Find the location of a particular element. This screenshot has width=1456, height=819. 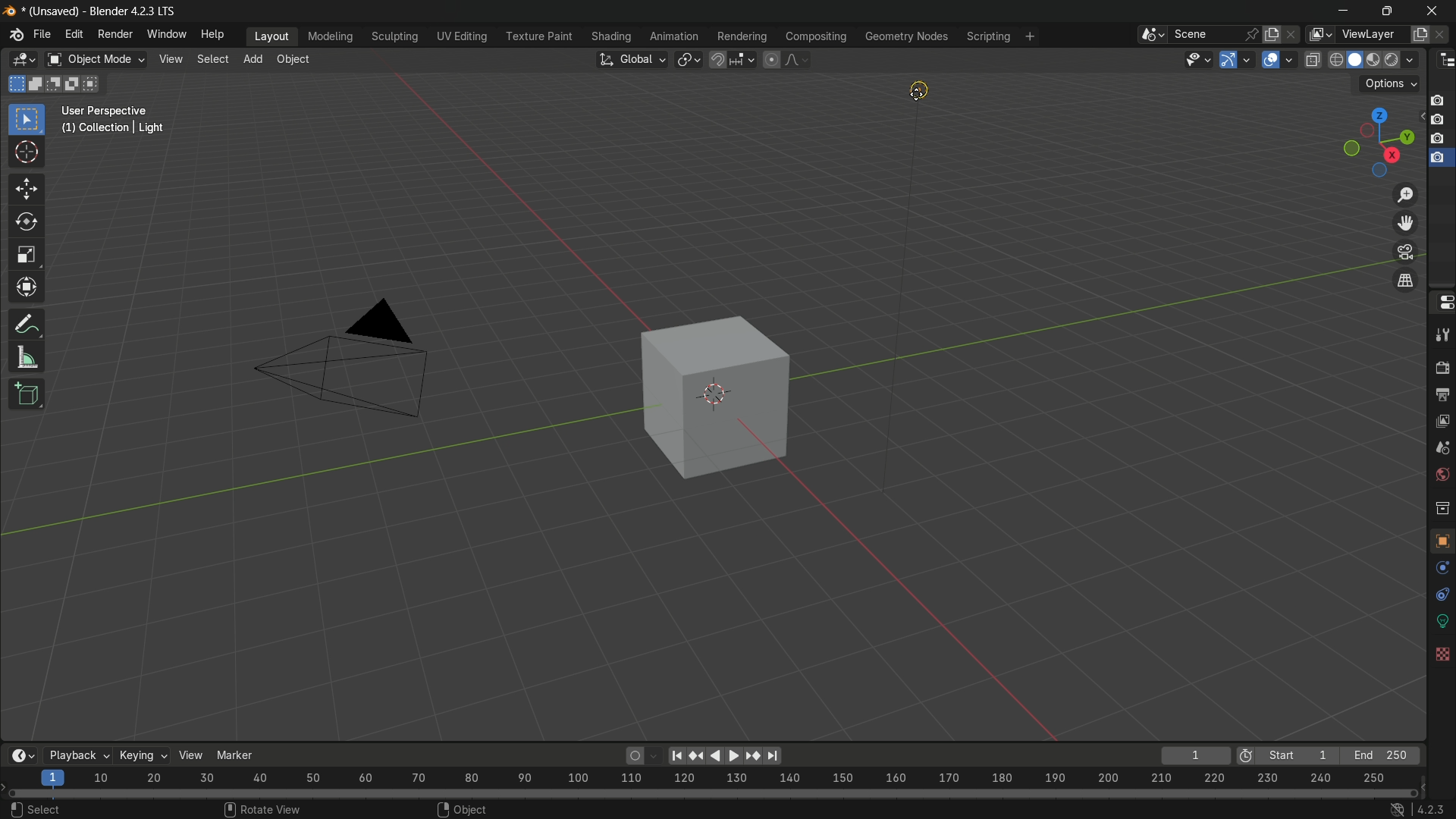

capture is located at coordinates (1438, 96).